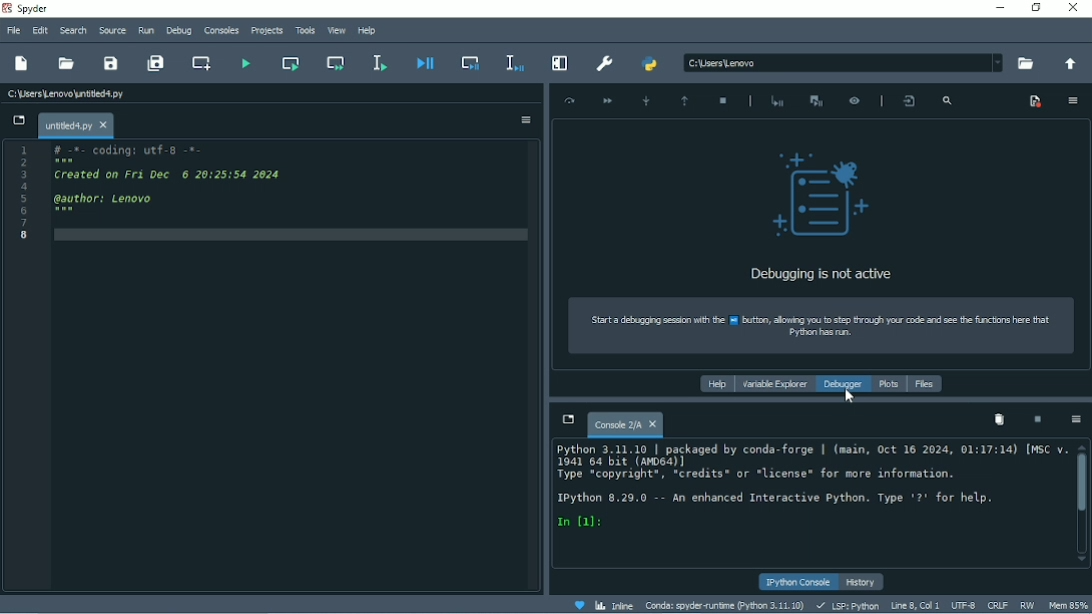 Image resolution: width=1092 pixels, height=614 pixels. I want to click on Close, so click(1074, 9).